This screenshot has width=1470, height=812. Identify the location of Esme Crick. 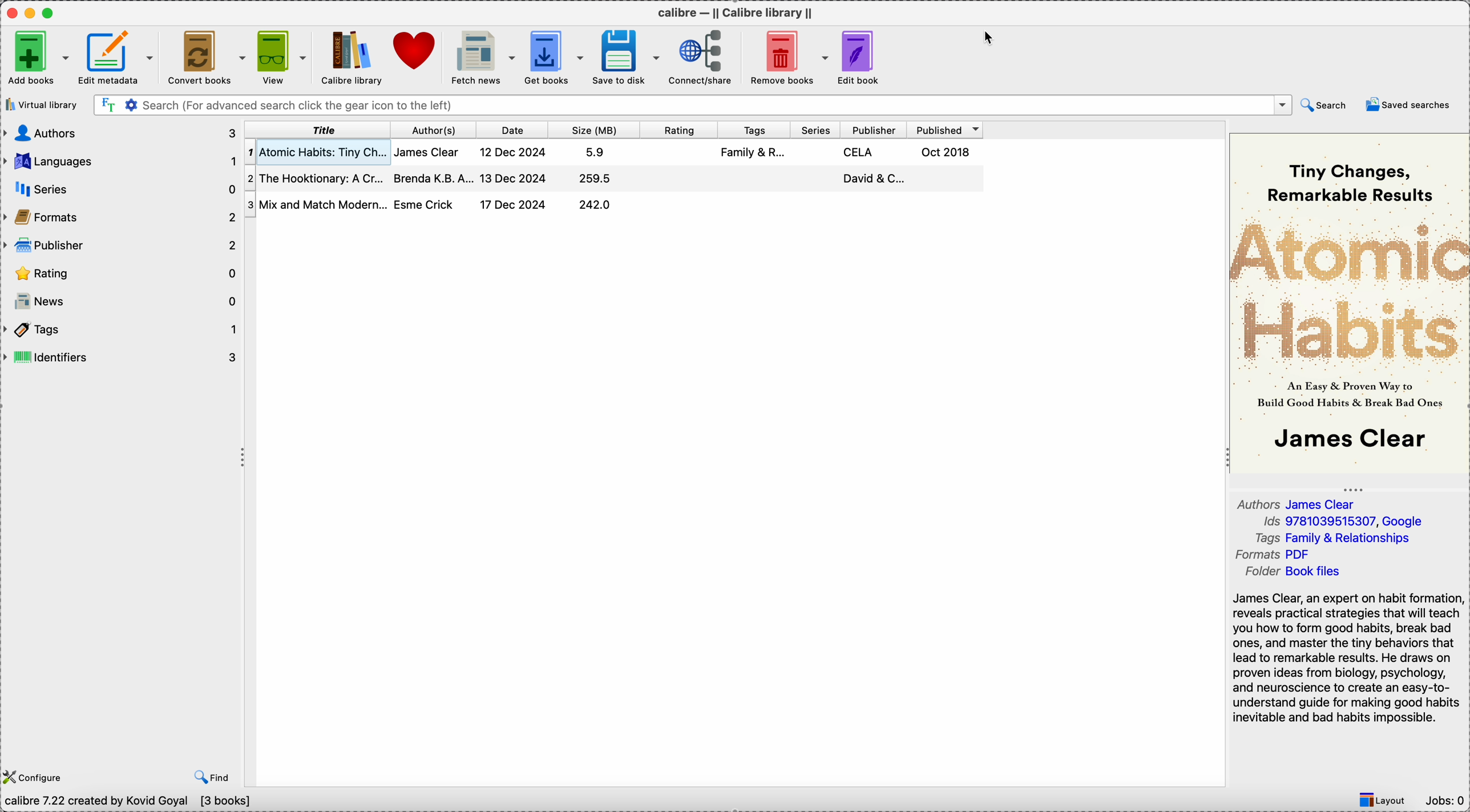
(425, 204).